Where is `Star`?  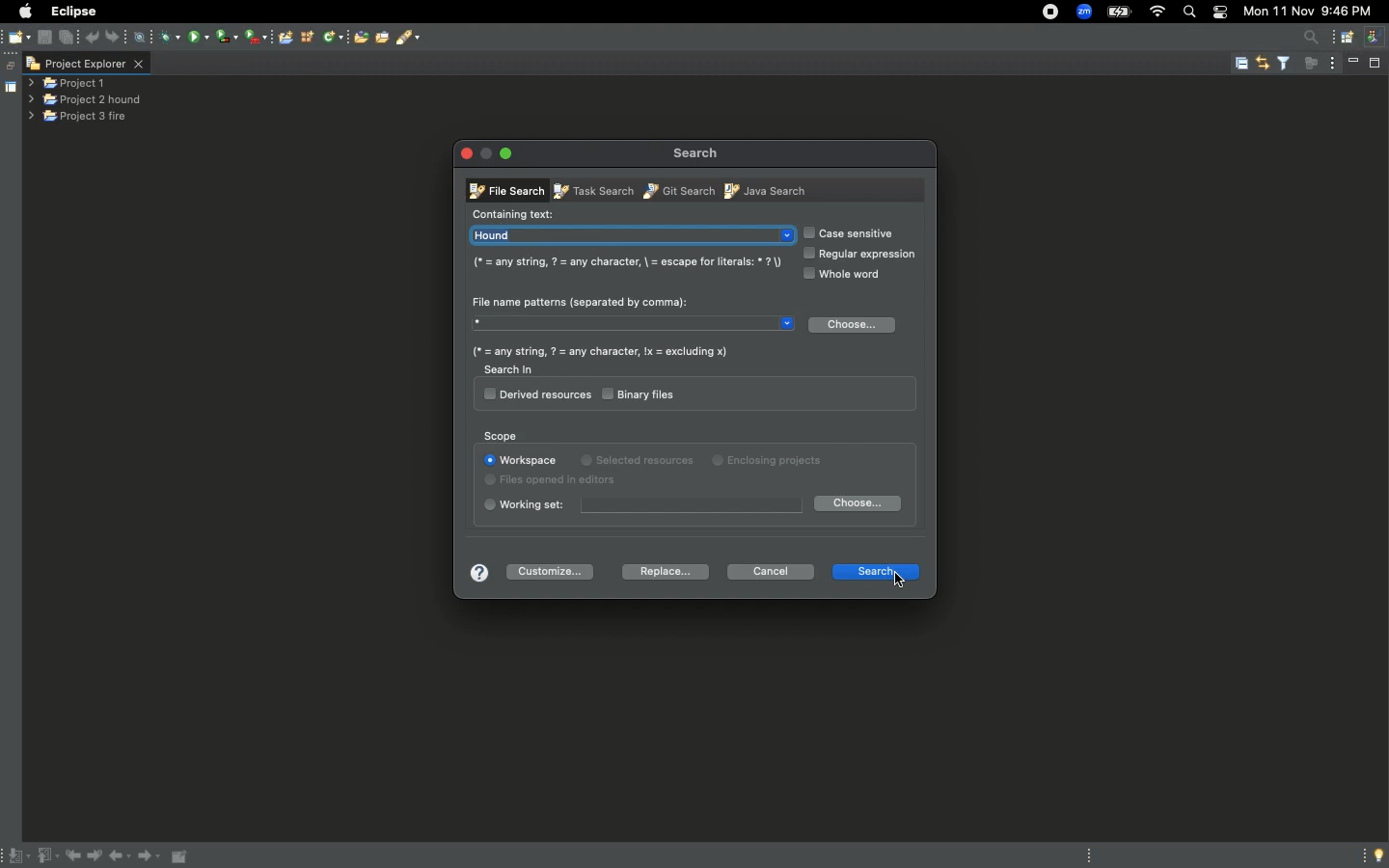 Star is located at coordinates (636, 326).